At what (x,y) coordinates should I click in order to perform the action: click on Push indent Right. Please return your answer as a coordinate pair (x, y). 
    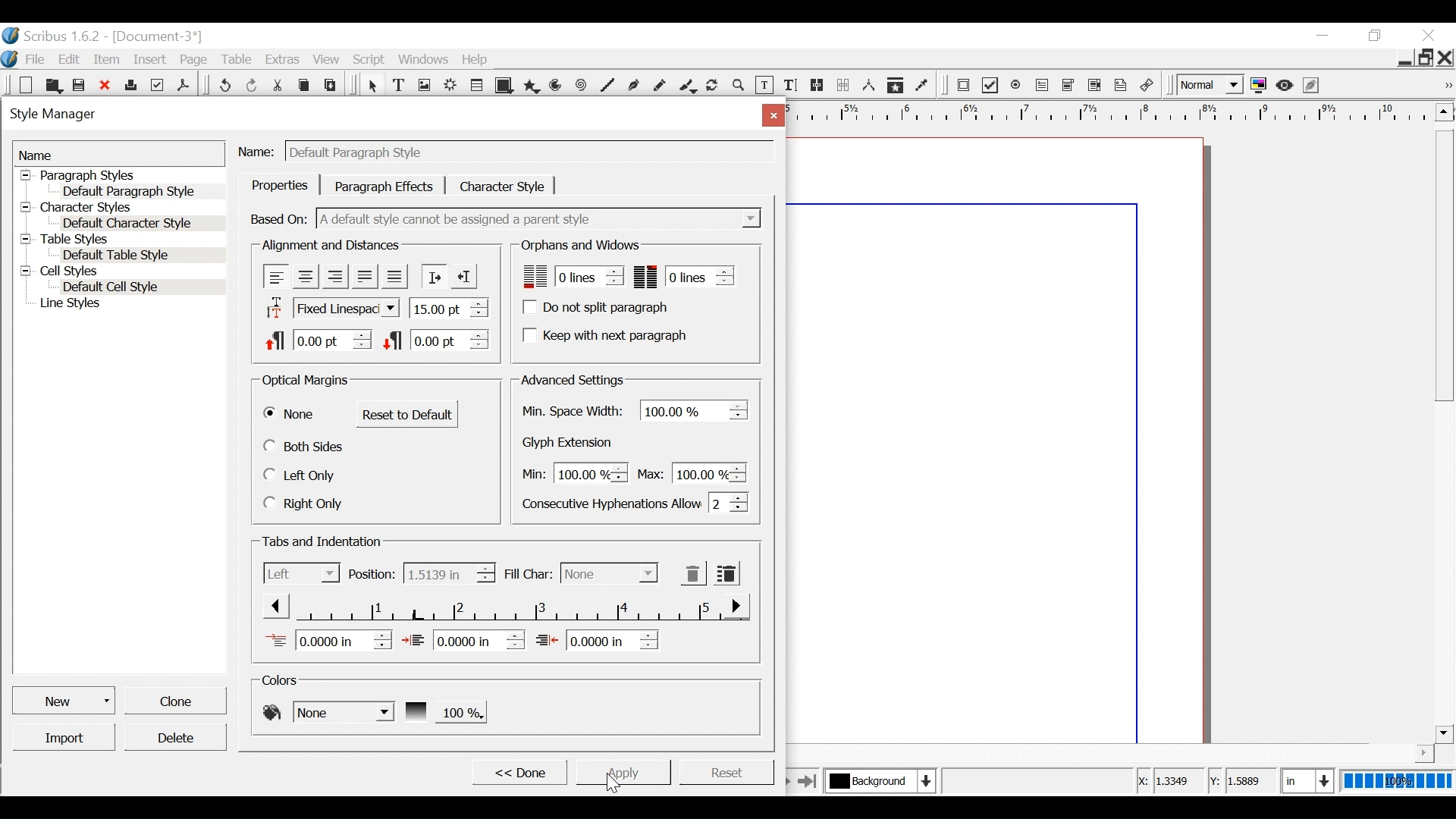
    Looking at the image, I should click on (433, 276).